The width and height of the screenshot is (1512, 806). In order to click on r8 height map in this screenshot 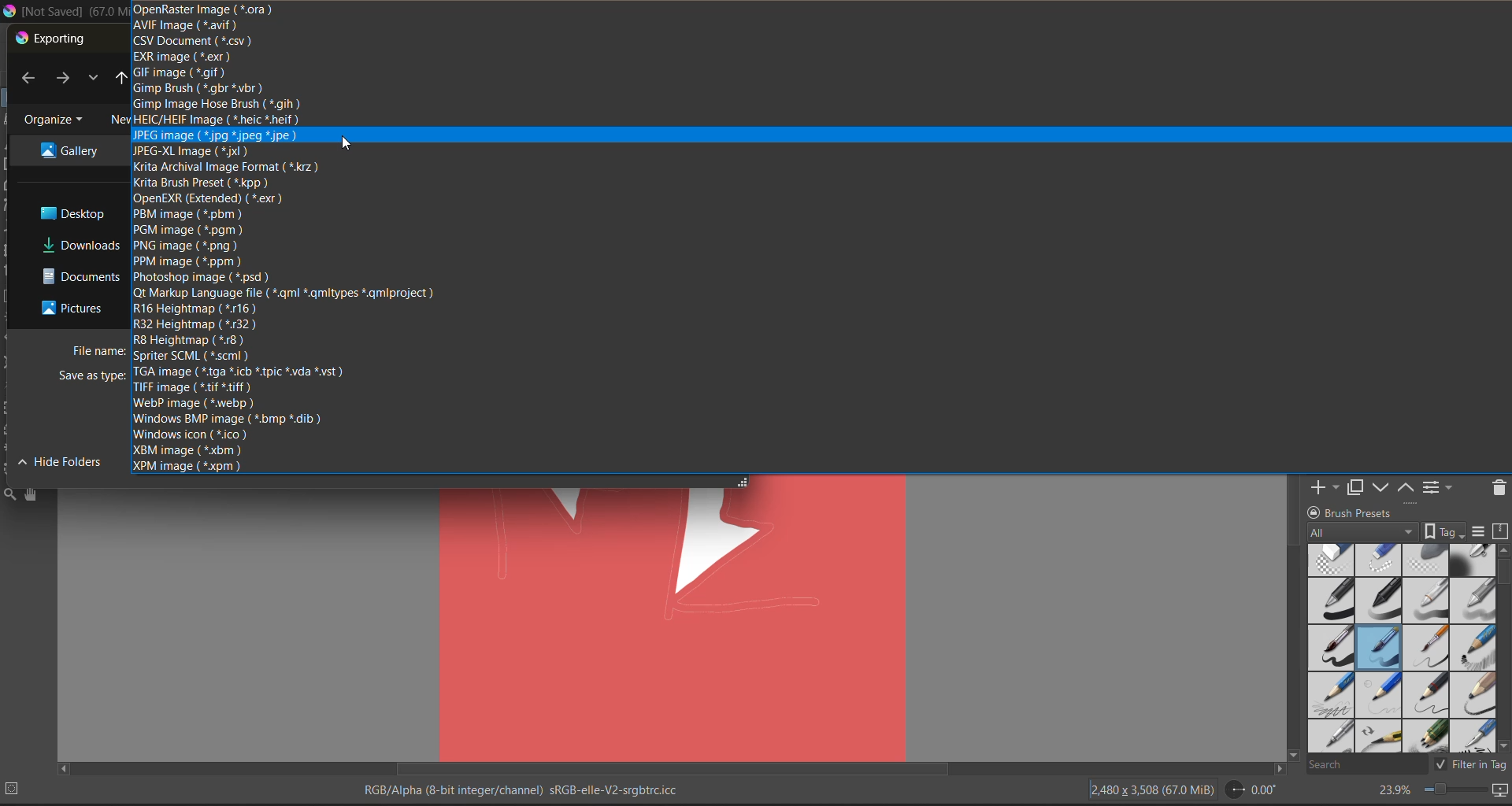, I will do `click(192, 340)`.